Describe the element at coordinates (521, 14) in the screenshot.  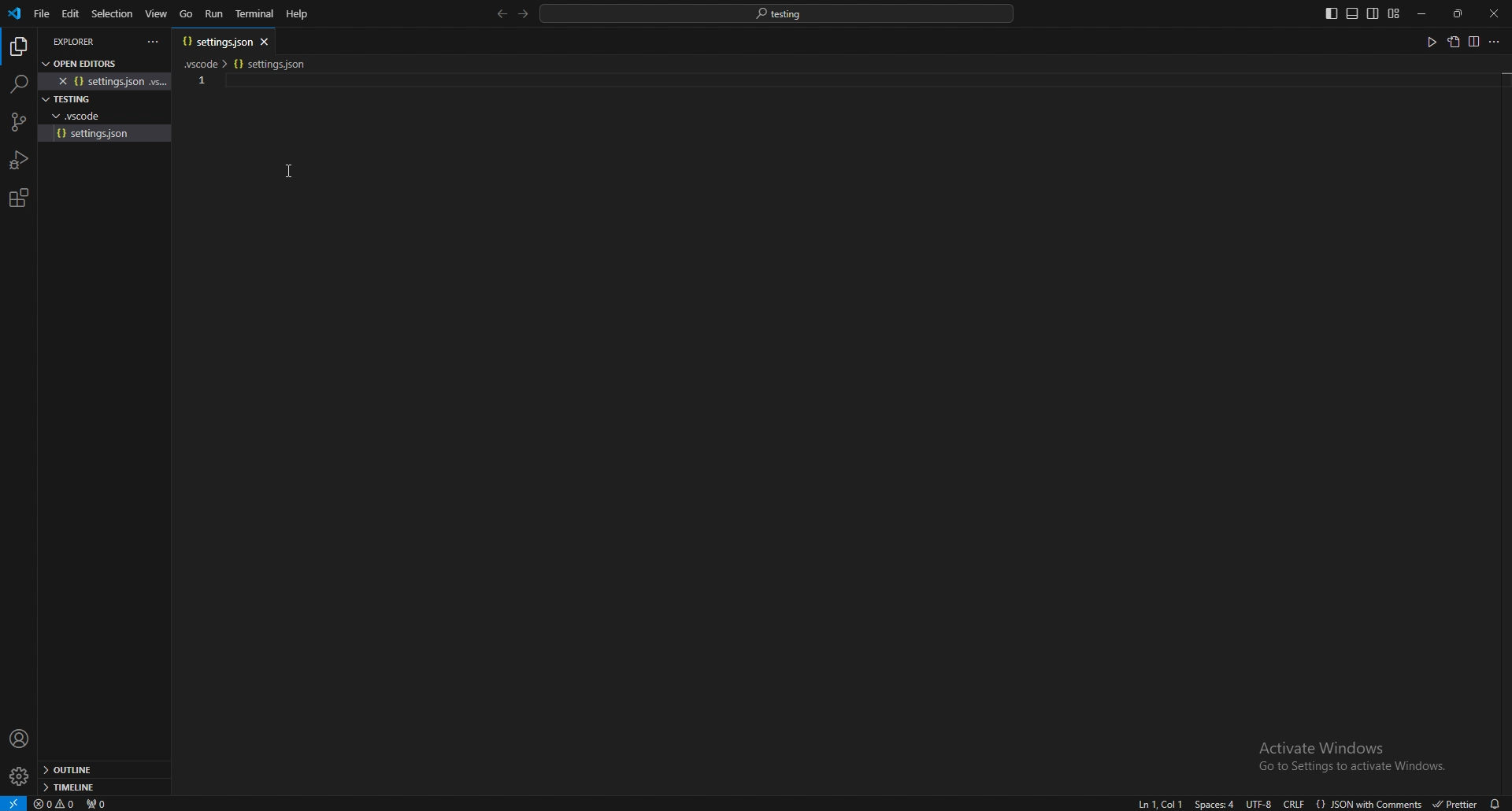
I see `forward` at that location.